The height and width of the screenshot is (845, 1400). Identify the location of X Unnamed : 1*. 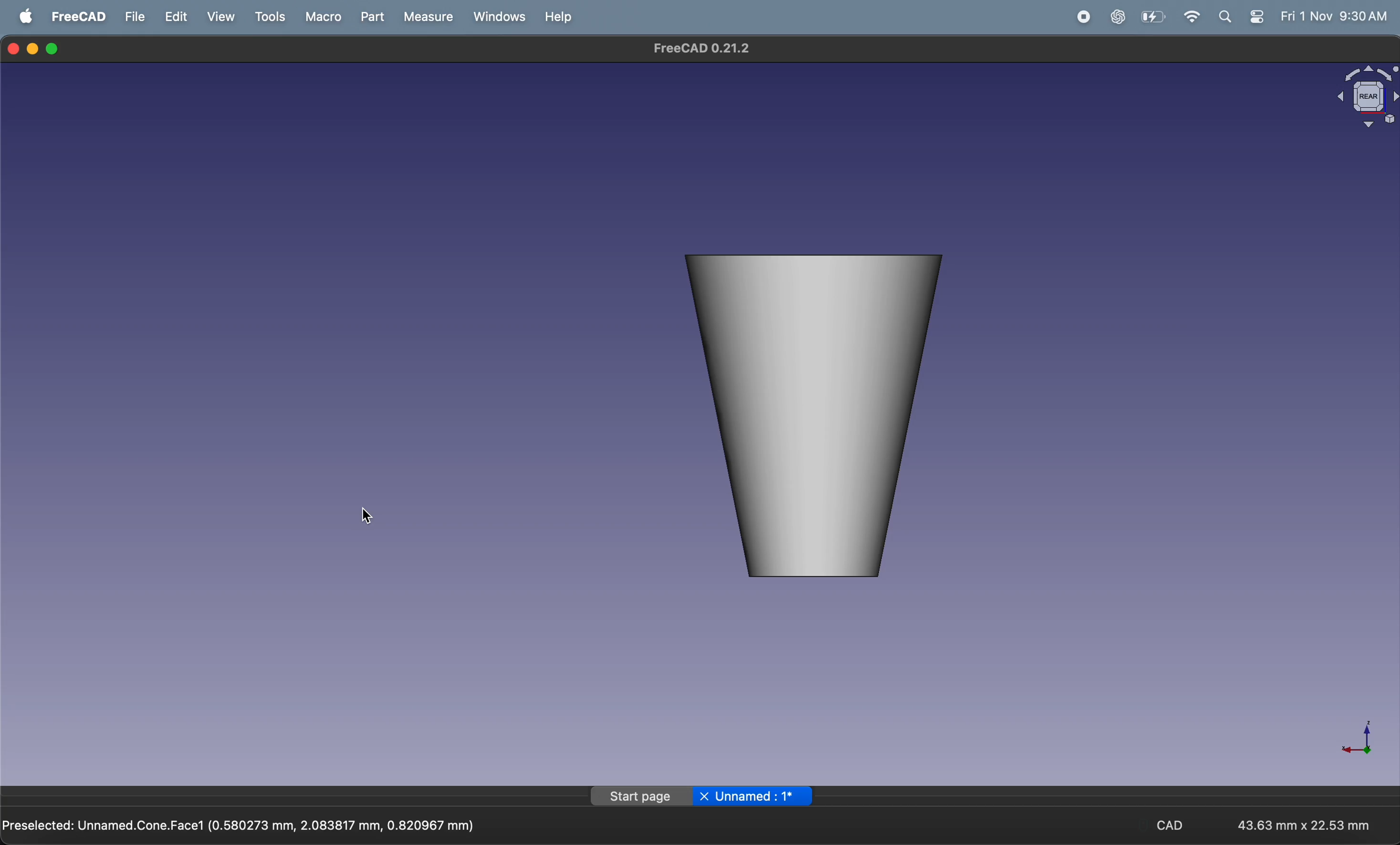
(753, 794).